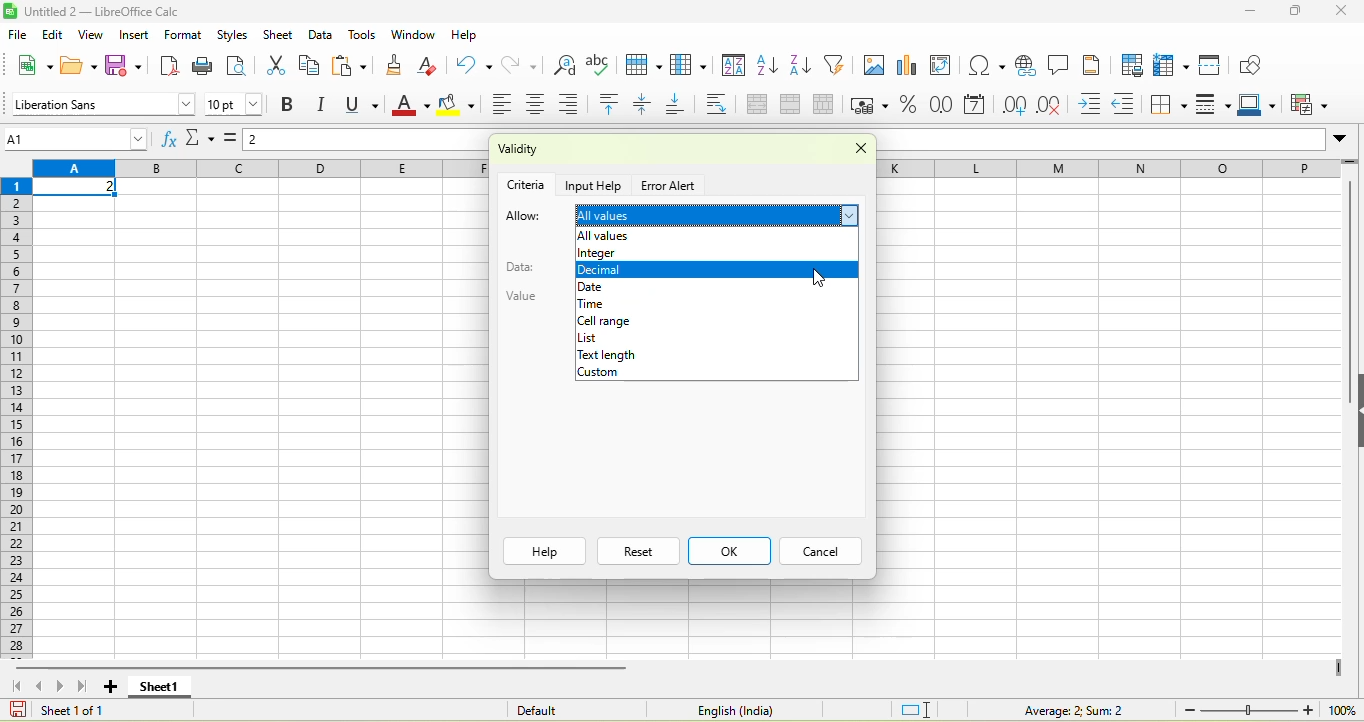  Describe the element at coordinates (563, 709) in the screenshot. I see `default` at that location.